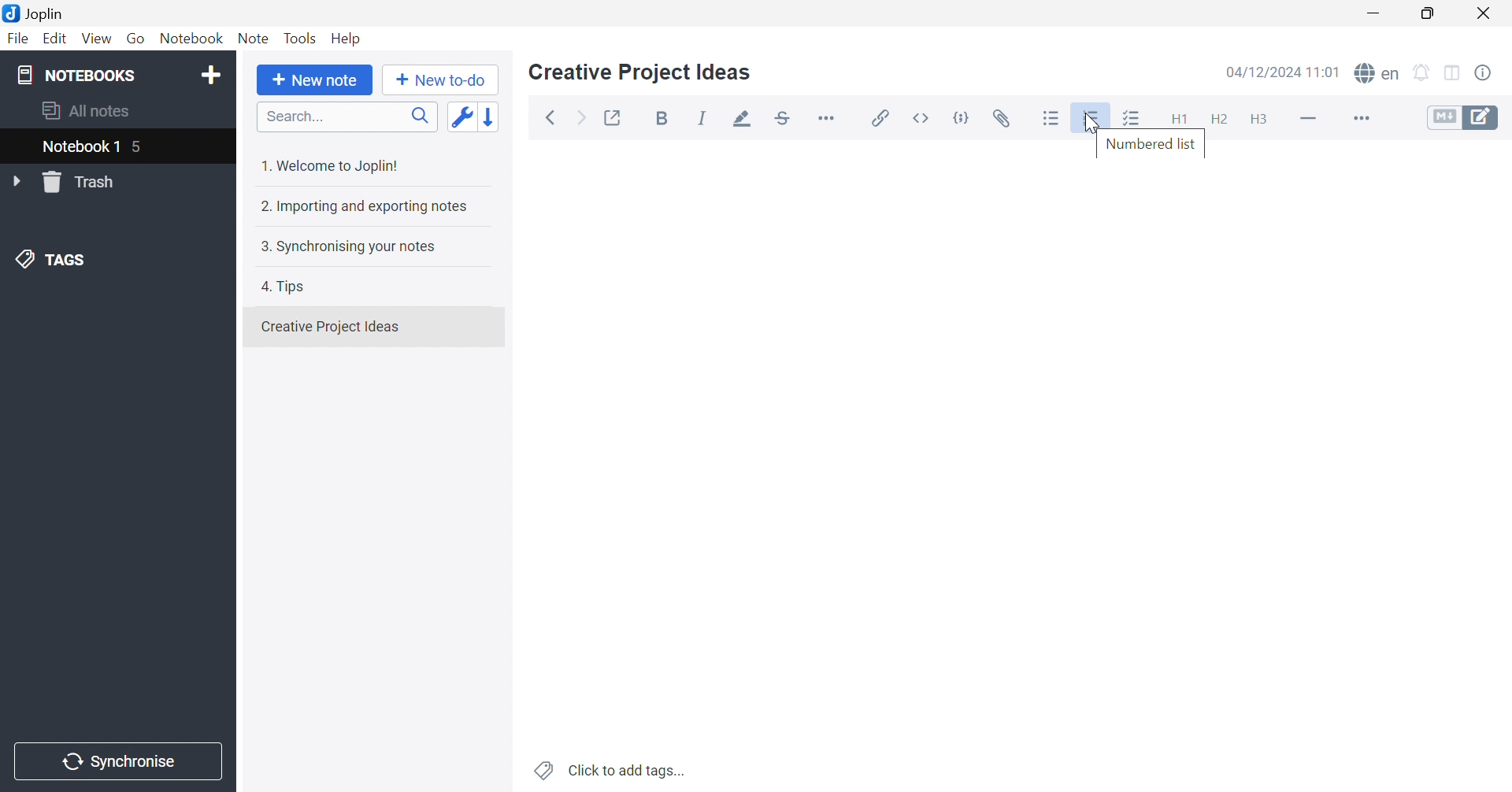  What do you see at coordinates (611, 119) in the screenshot?
I see `Toggle external editing` at bounding box center [611, 119].